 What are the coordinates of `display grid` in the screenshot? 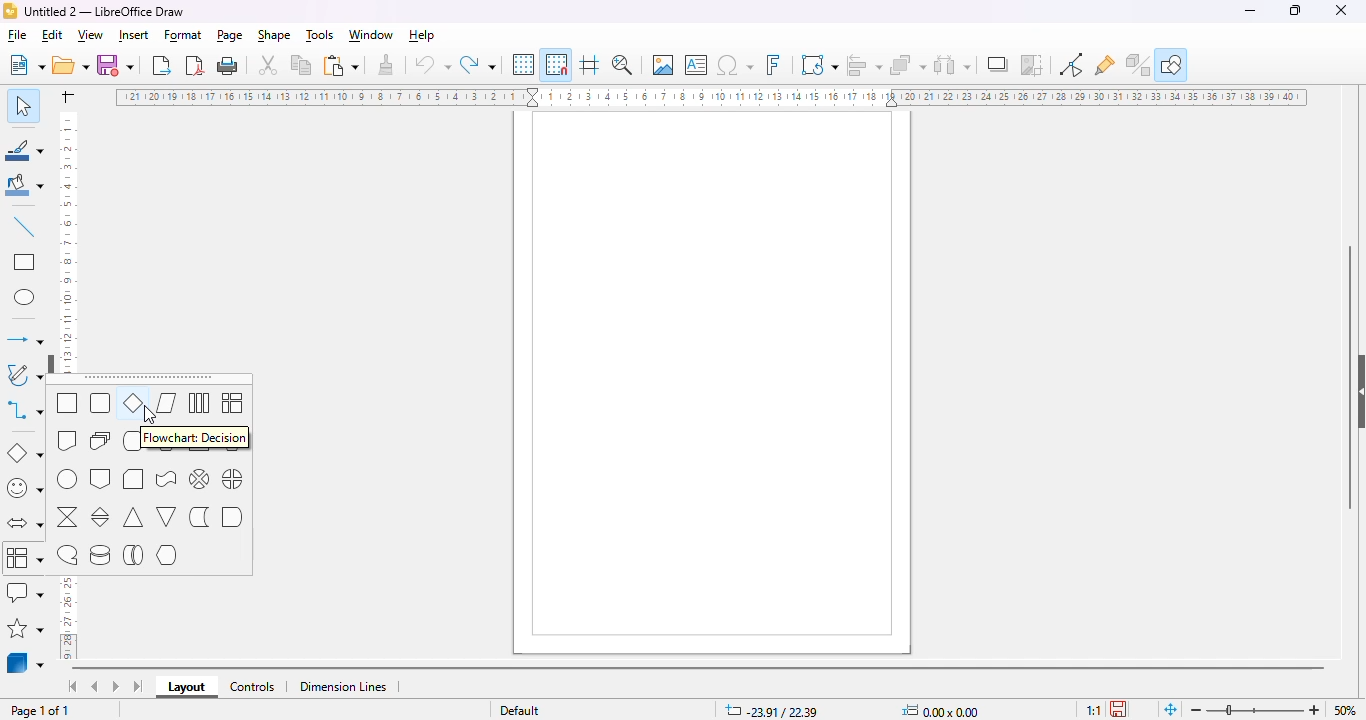 It's located at (522, 64).